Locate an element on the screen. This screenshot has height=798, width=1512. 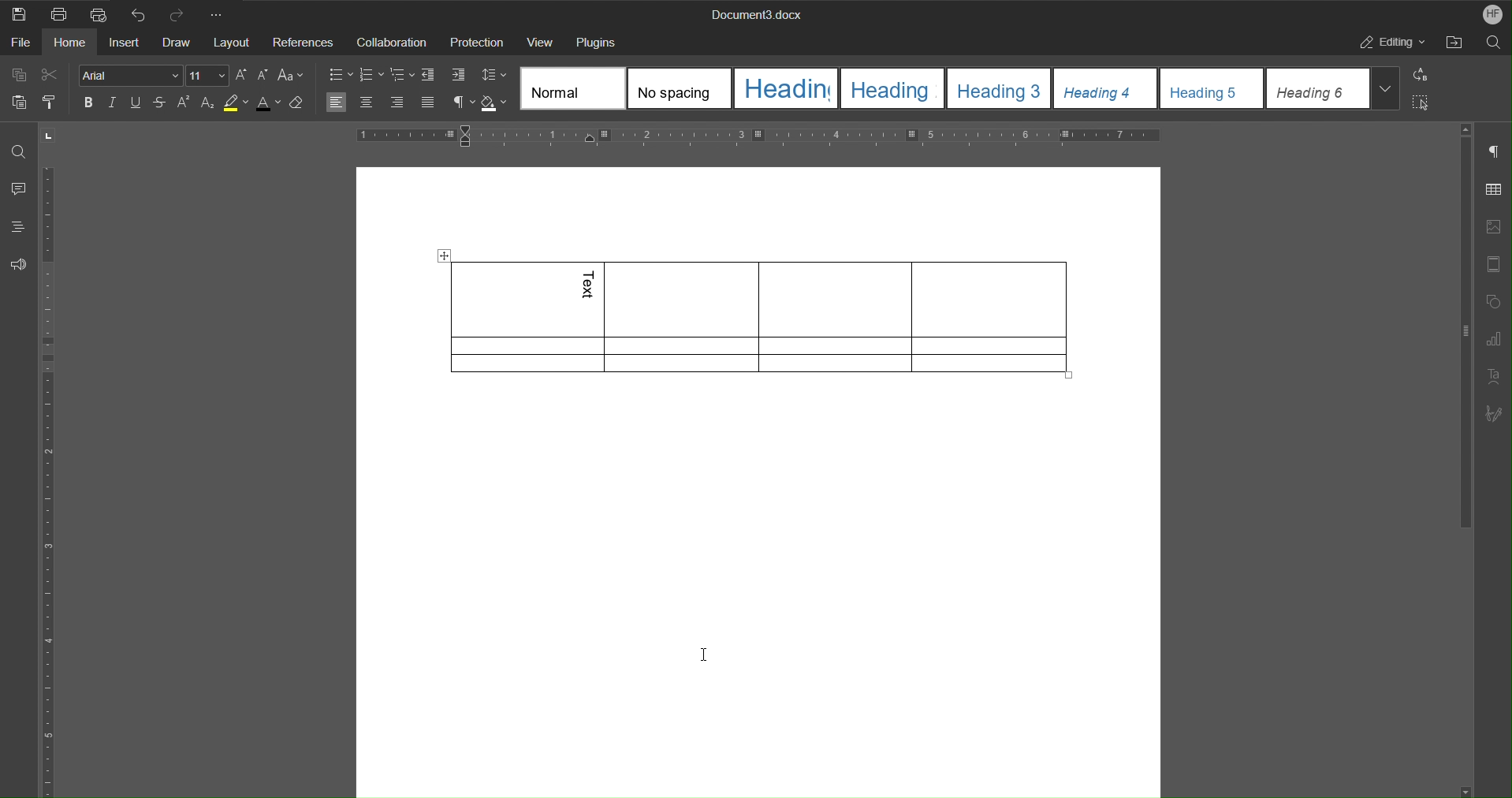
Feedback and Support is located at coordinates (19, 261).